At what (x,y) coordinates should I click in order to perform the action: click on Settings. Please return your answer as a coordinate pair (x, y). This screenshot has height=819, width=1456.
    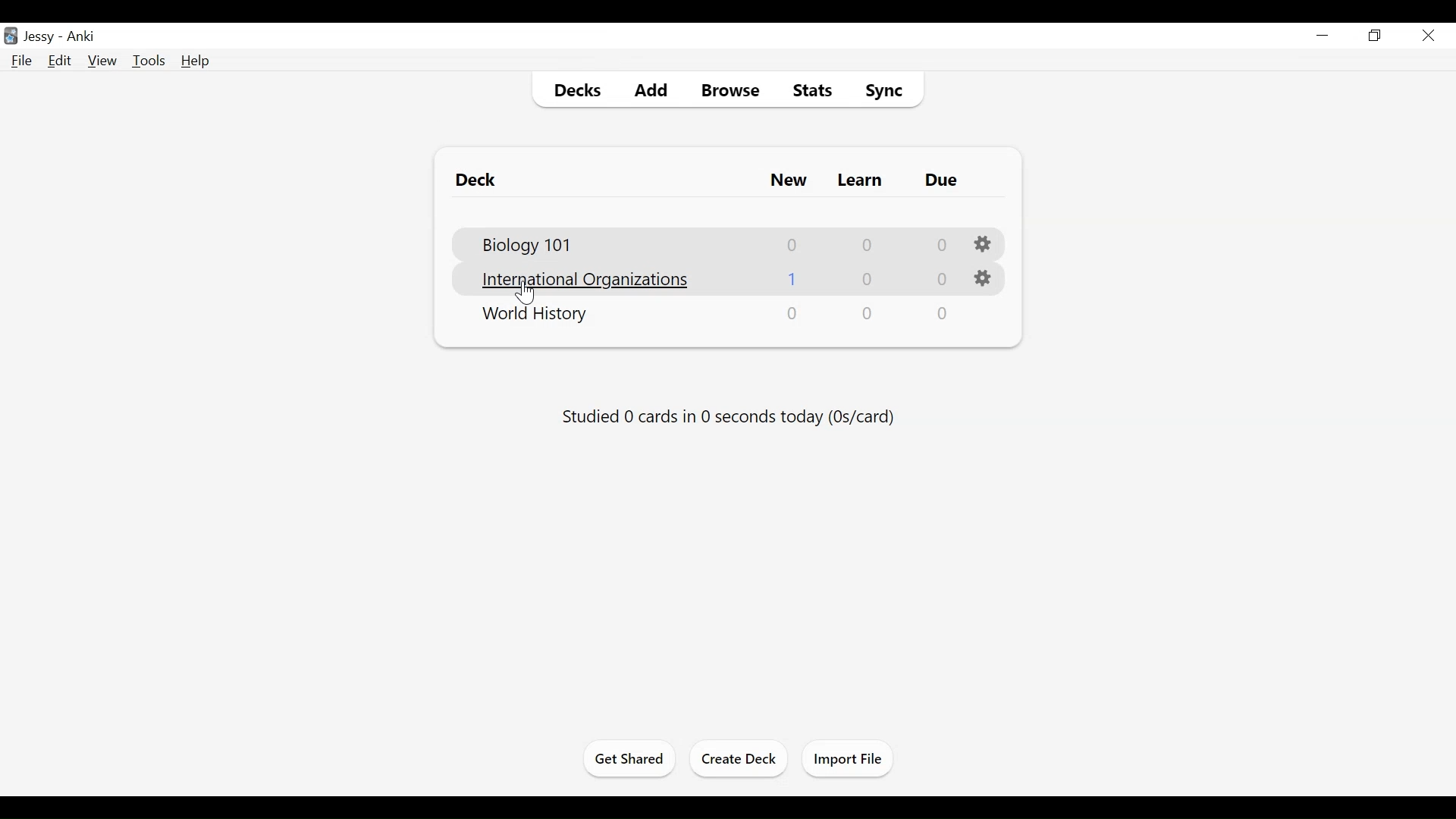
    Looking at the image, I should click on (984, 243).